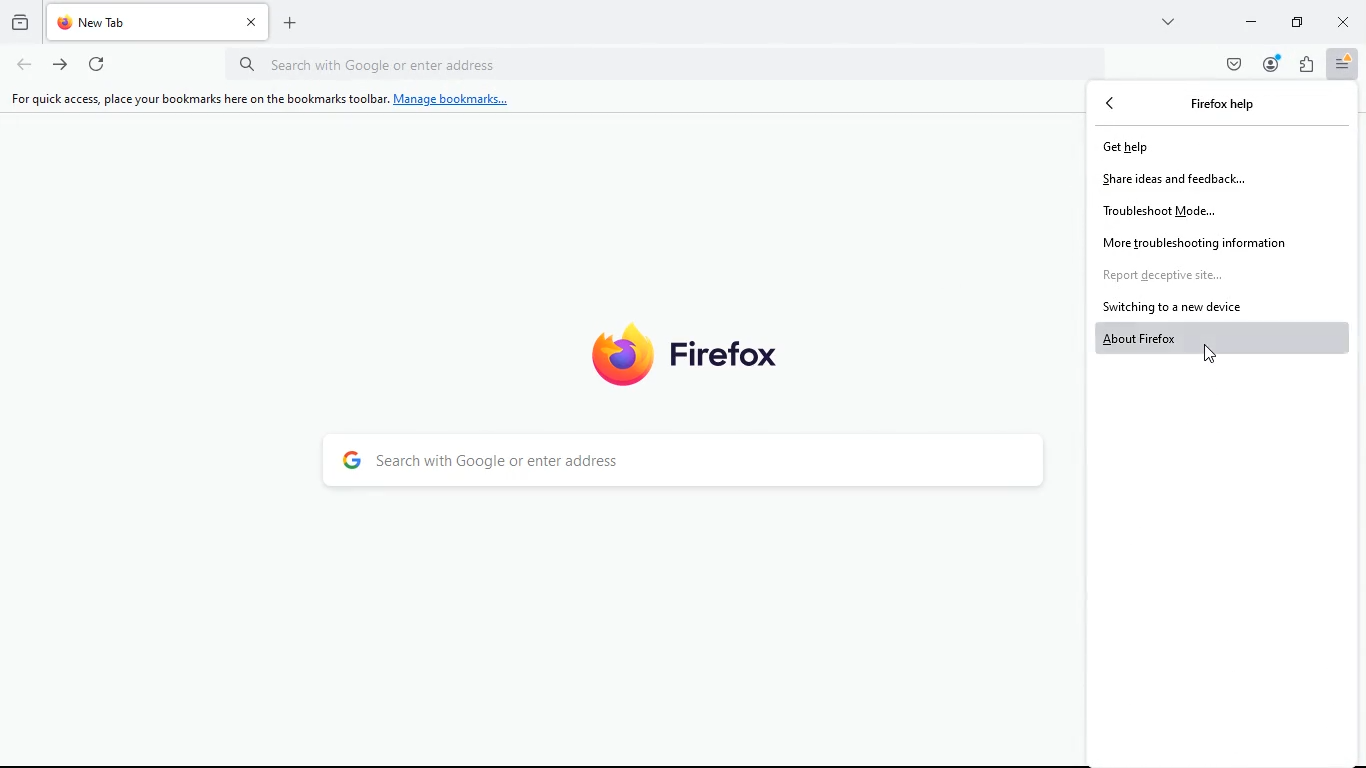 The height and width of the screenshot is (768, 1366). Describe the element at coordinates (99, 65) in the screenshot. I see `refresh` at that location.